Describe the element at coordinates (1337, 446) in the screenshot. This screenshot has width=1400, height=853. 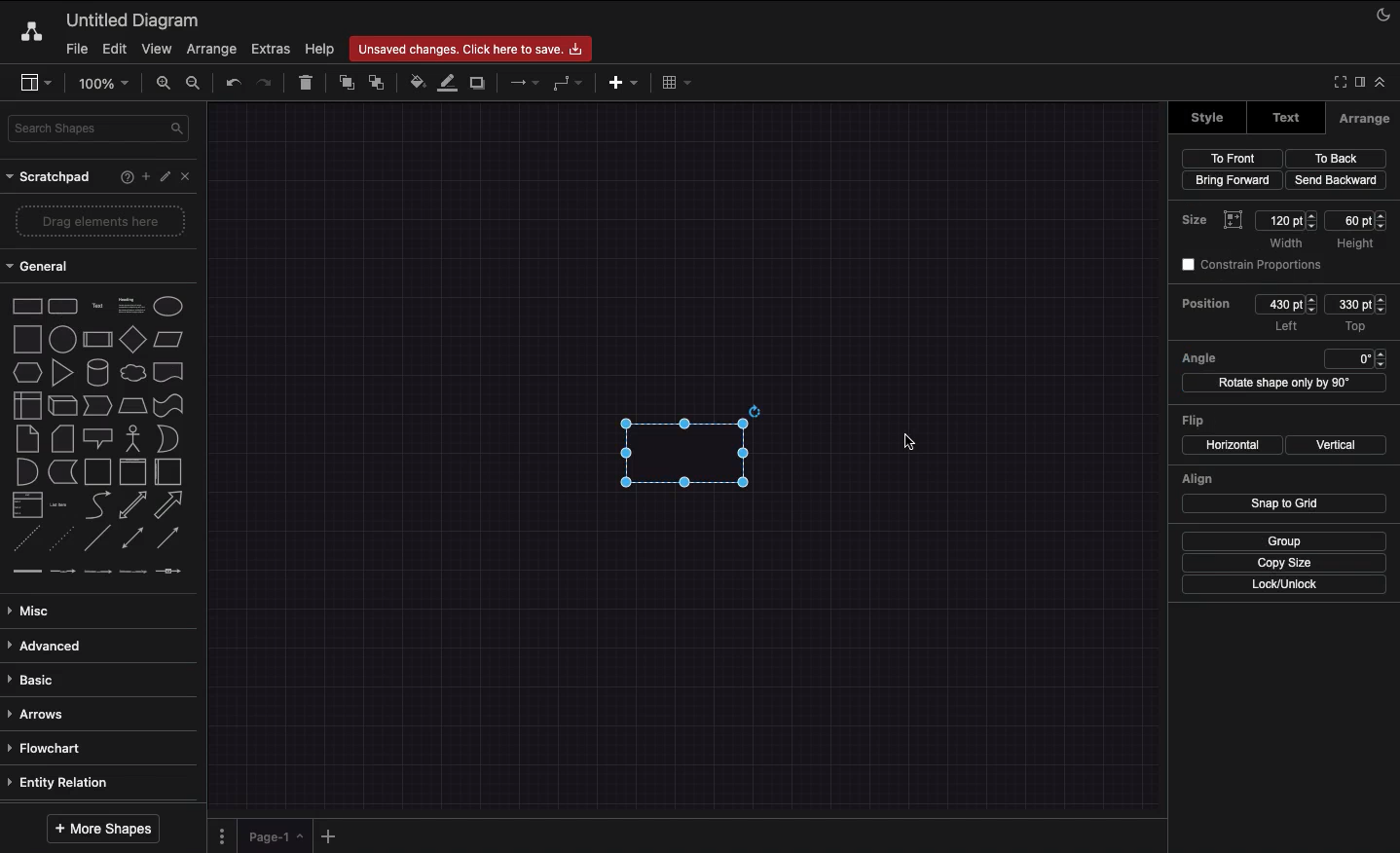
I see `Vertical` at that location.